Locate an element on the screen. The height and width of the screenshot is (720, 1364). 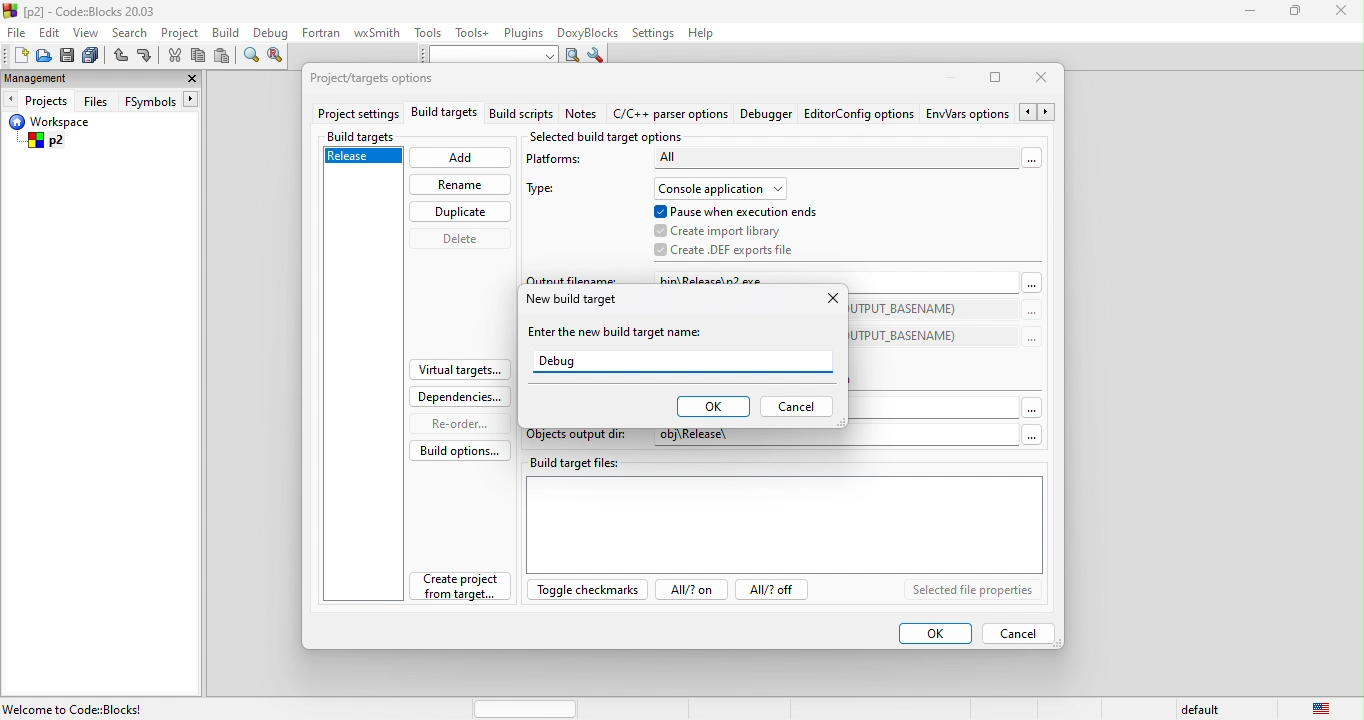
rename is located at coordinates (460, 187).